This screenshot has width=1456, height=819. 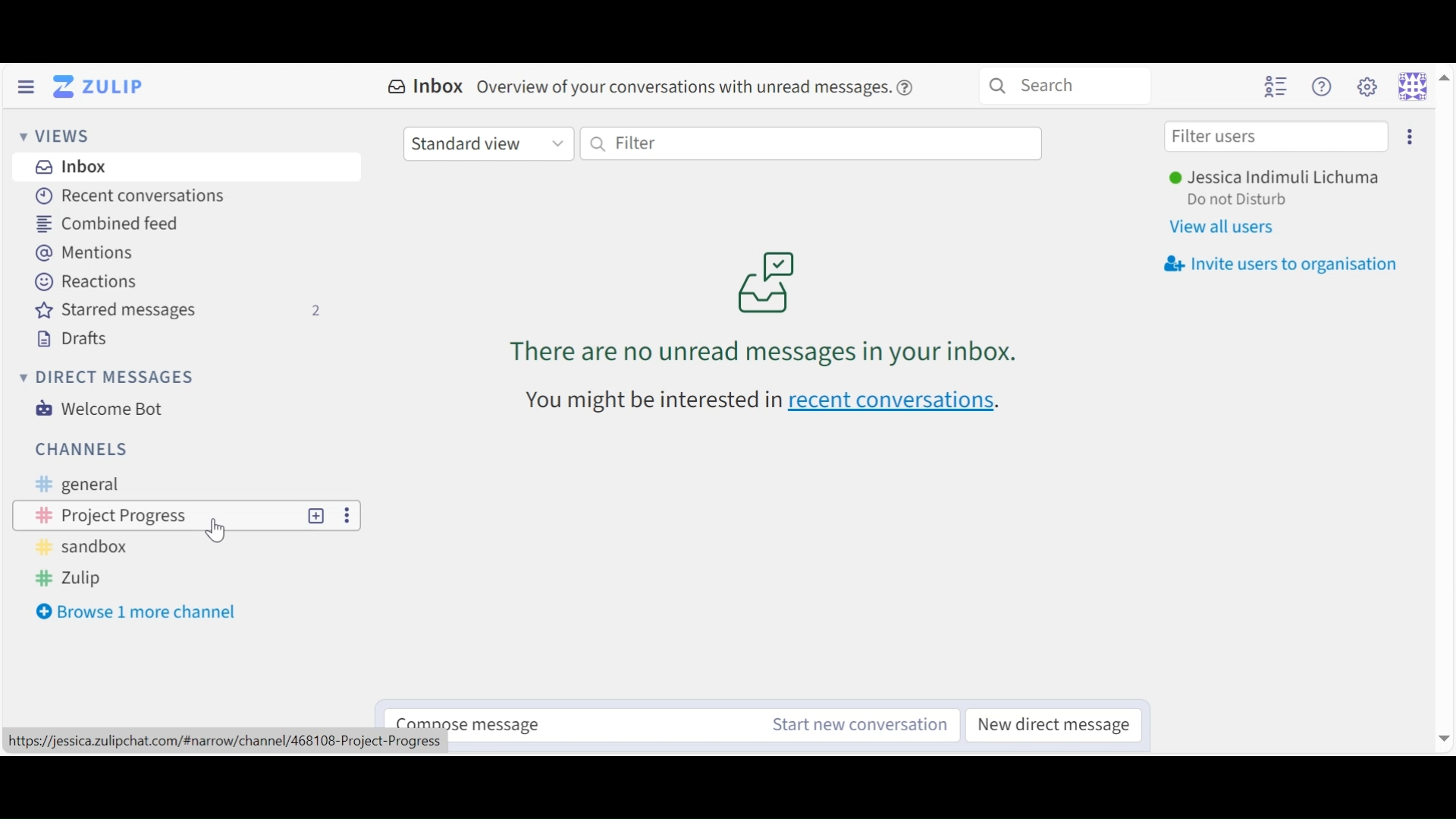 What do you see at coordinates (71, 168) in the screenshot?
I see `Inbox` at bounding box center [71, 168].